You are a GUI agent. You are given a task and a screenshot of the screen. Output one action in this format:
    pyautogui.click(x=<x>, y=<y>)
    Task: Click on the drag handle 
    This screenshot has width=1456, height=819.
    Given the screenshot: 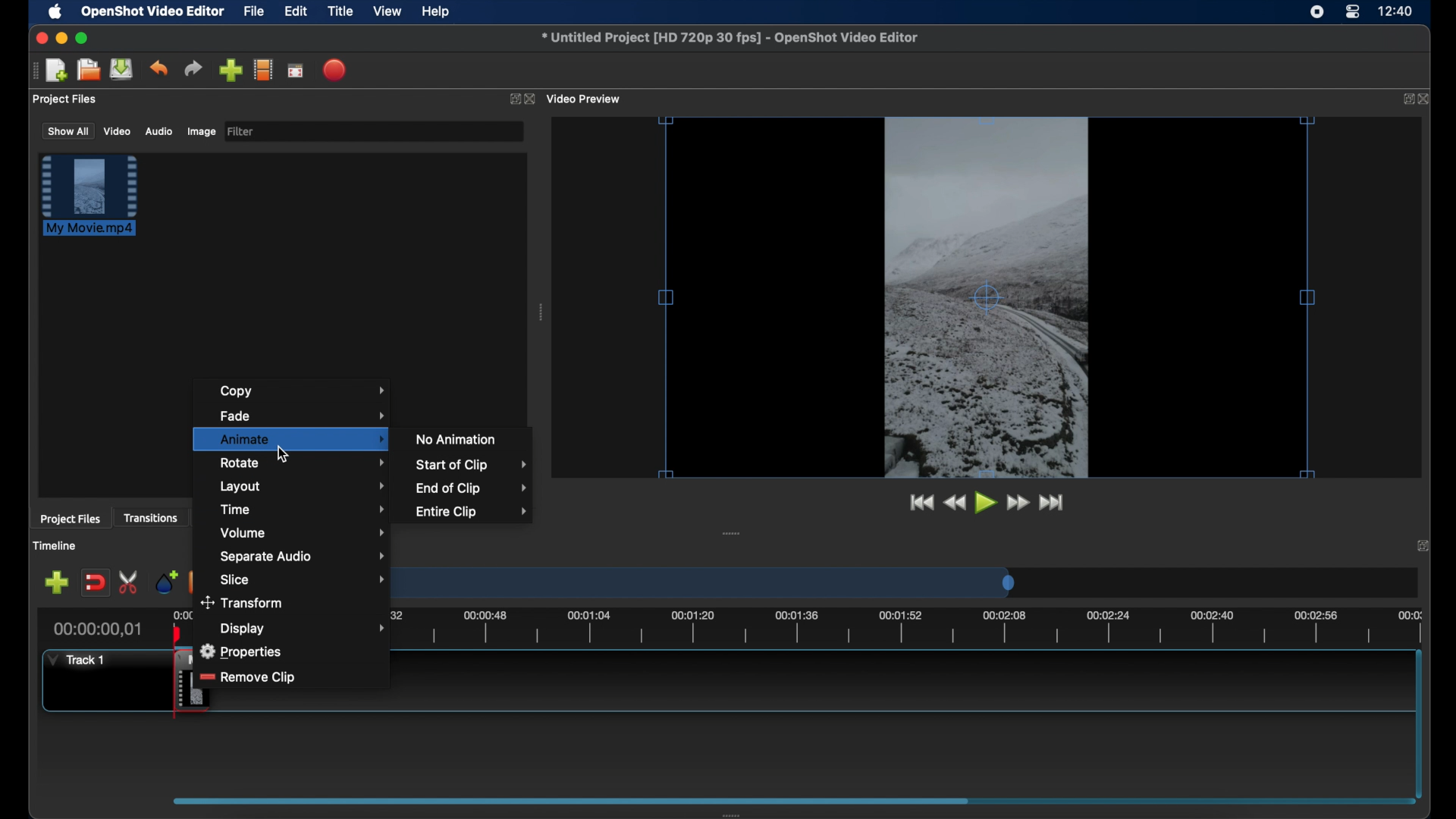 What is the action you would take?
    pyautogui.click(x=741, y=813)
    